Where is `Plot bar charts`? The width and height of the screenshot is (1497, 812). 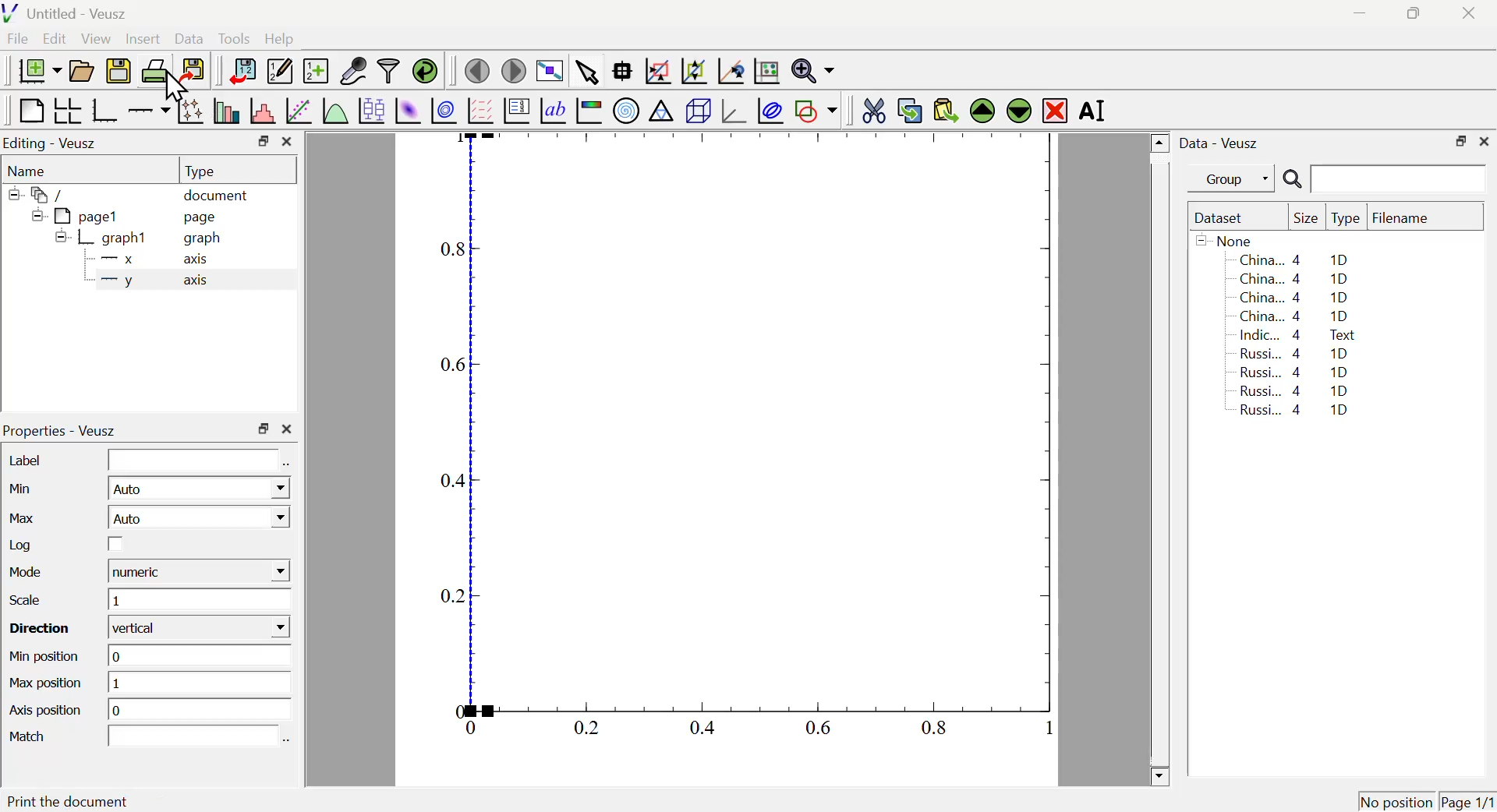 Plot bar charts is located at coordinates (226, 111).